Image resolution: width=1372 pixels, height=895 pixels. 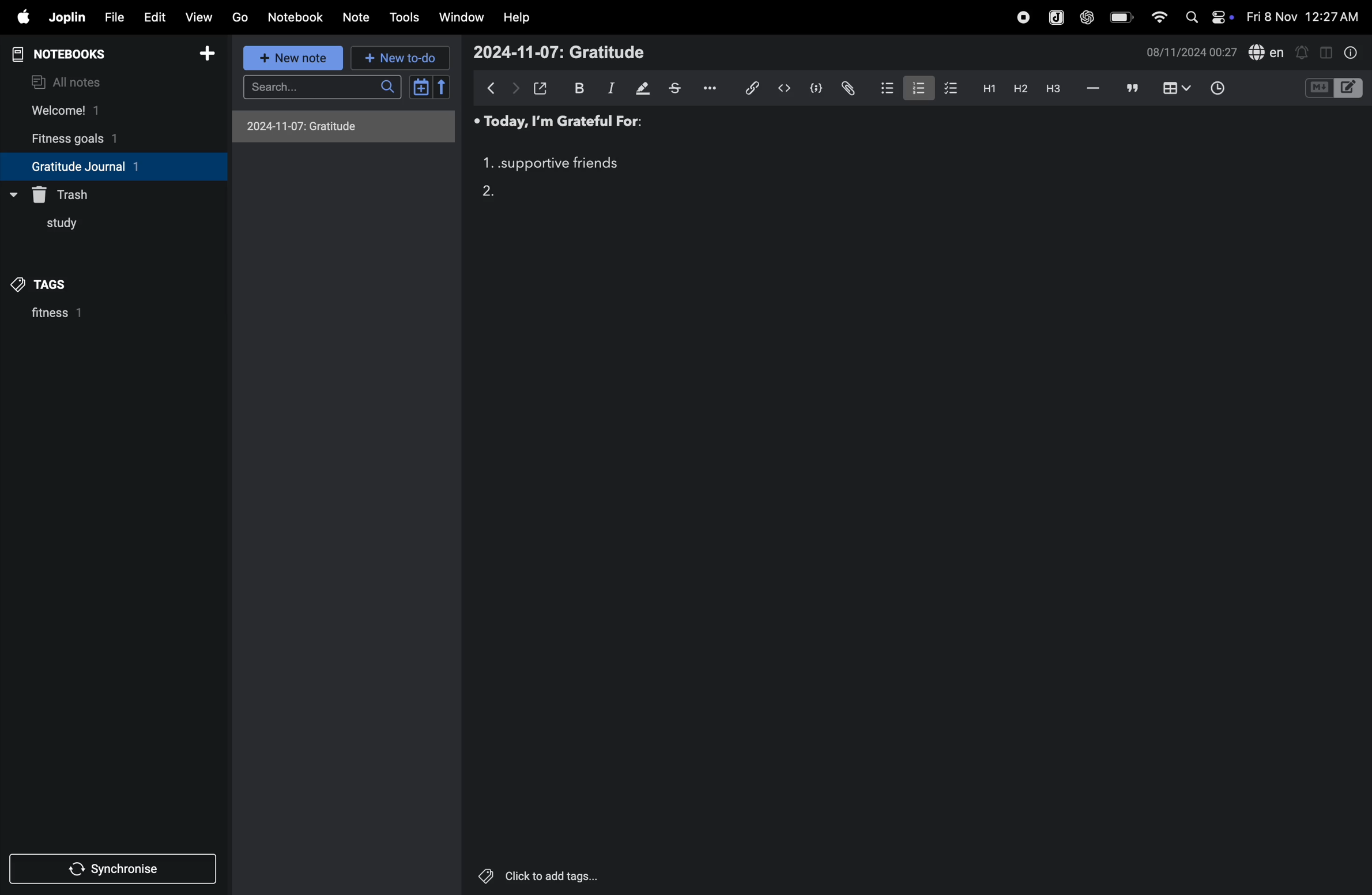 What do you see at coordinates (1178, 88) in the screenshot?
I see `table view` at bounding box center [1178, 88].